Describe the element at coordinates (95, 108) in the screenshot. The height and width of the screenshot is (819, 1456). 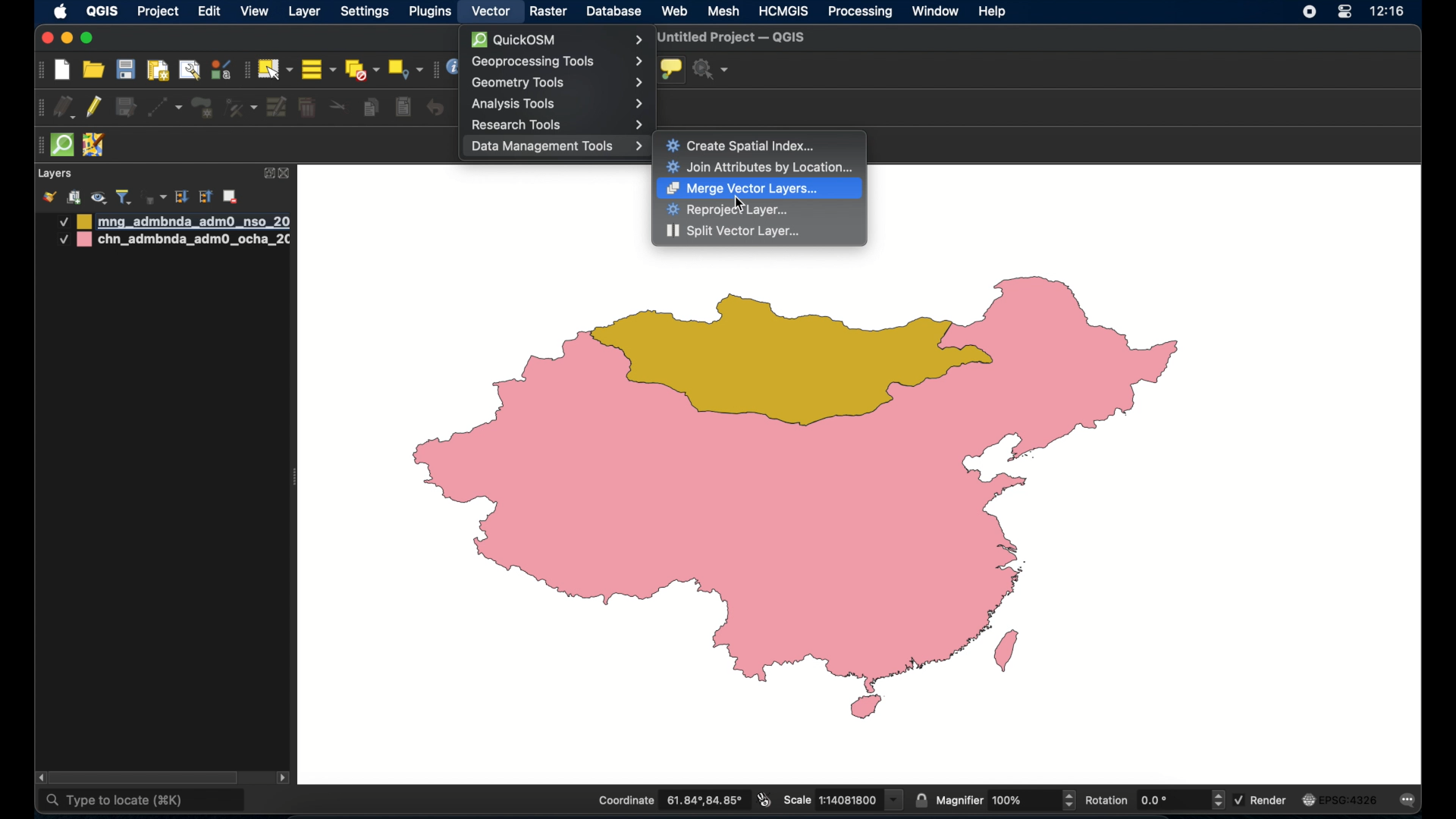
I see `toggle editing` at that location.